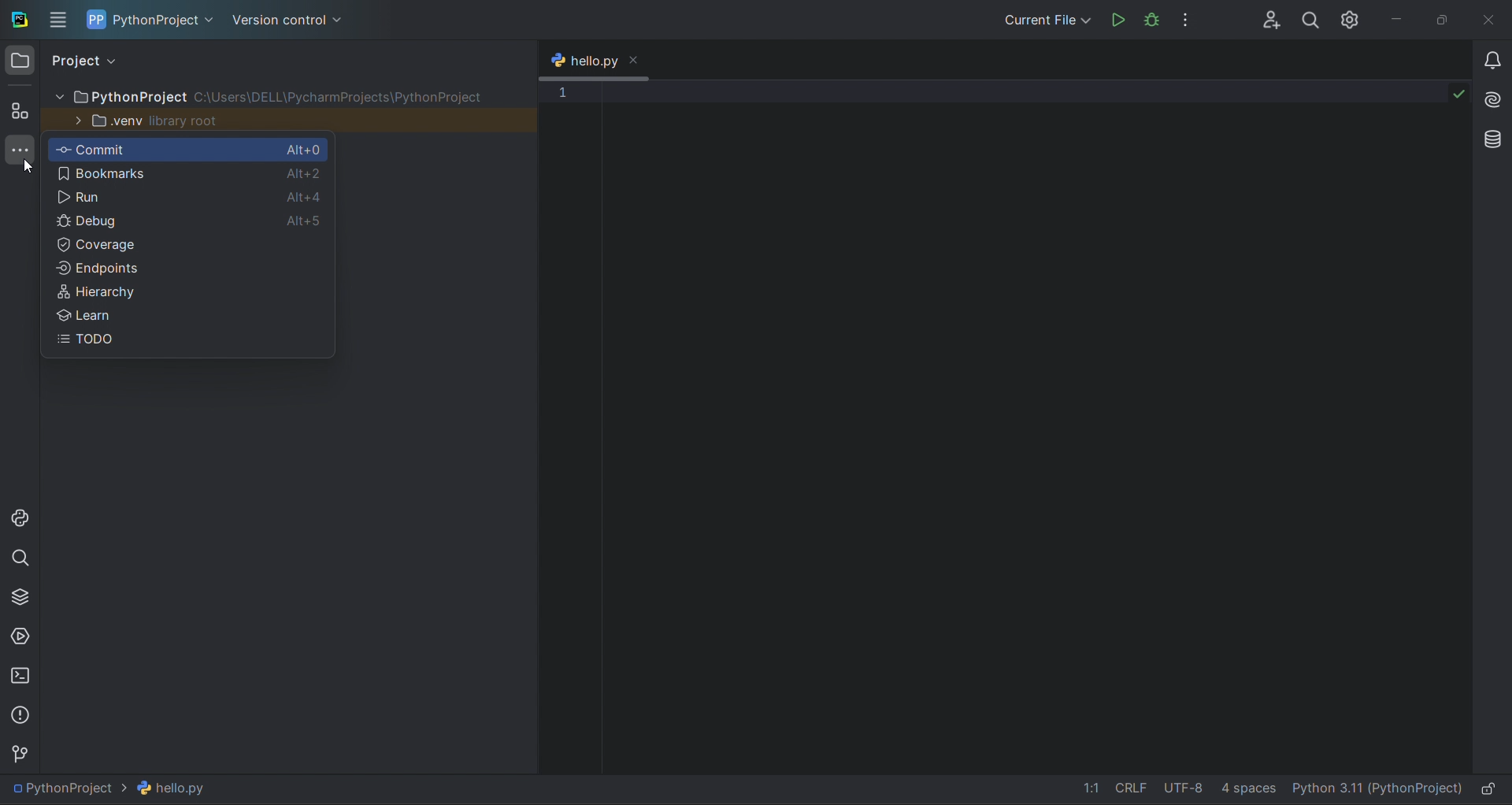 The height and width of the screenshot is (805, 1512). Describe the element at coordinates (306, 174) in the screenshot. I see `Alt+2` at that location.